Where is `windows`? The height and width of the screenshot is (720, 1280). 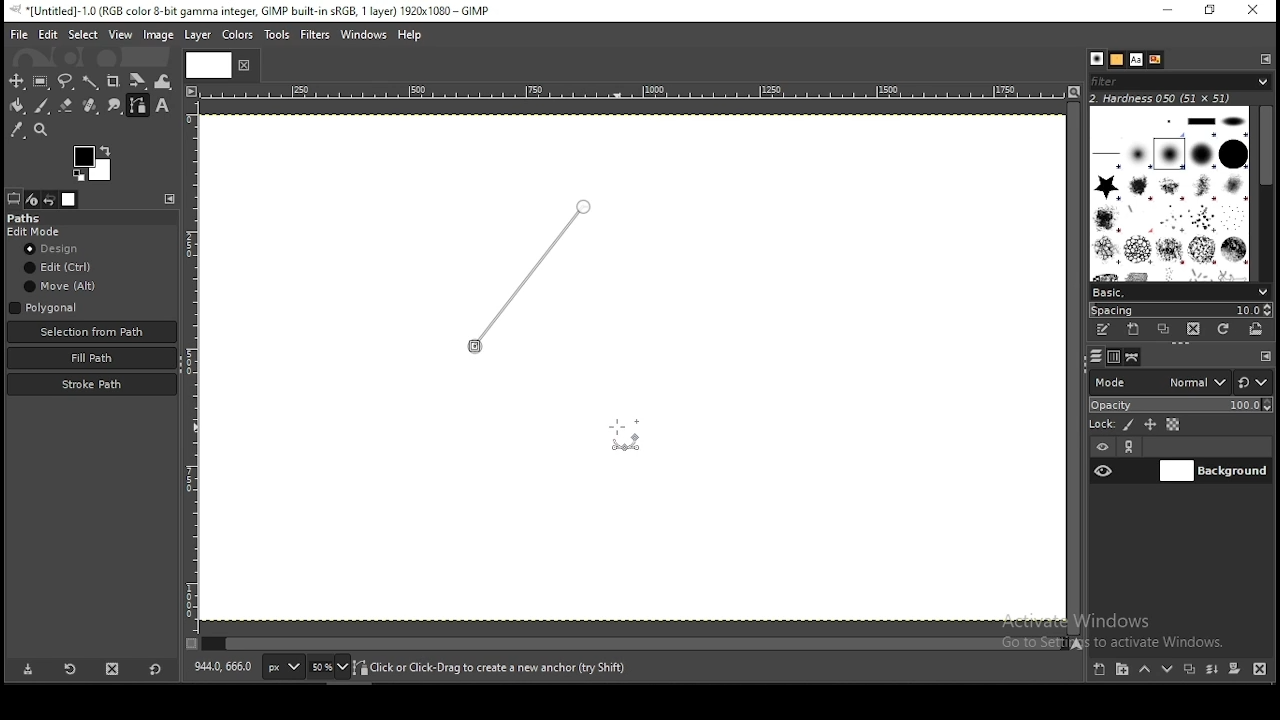
windows is located at coordinates (363, 33).